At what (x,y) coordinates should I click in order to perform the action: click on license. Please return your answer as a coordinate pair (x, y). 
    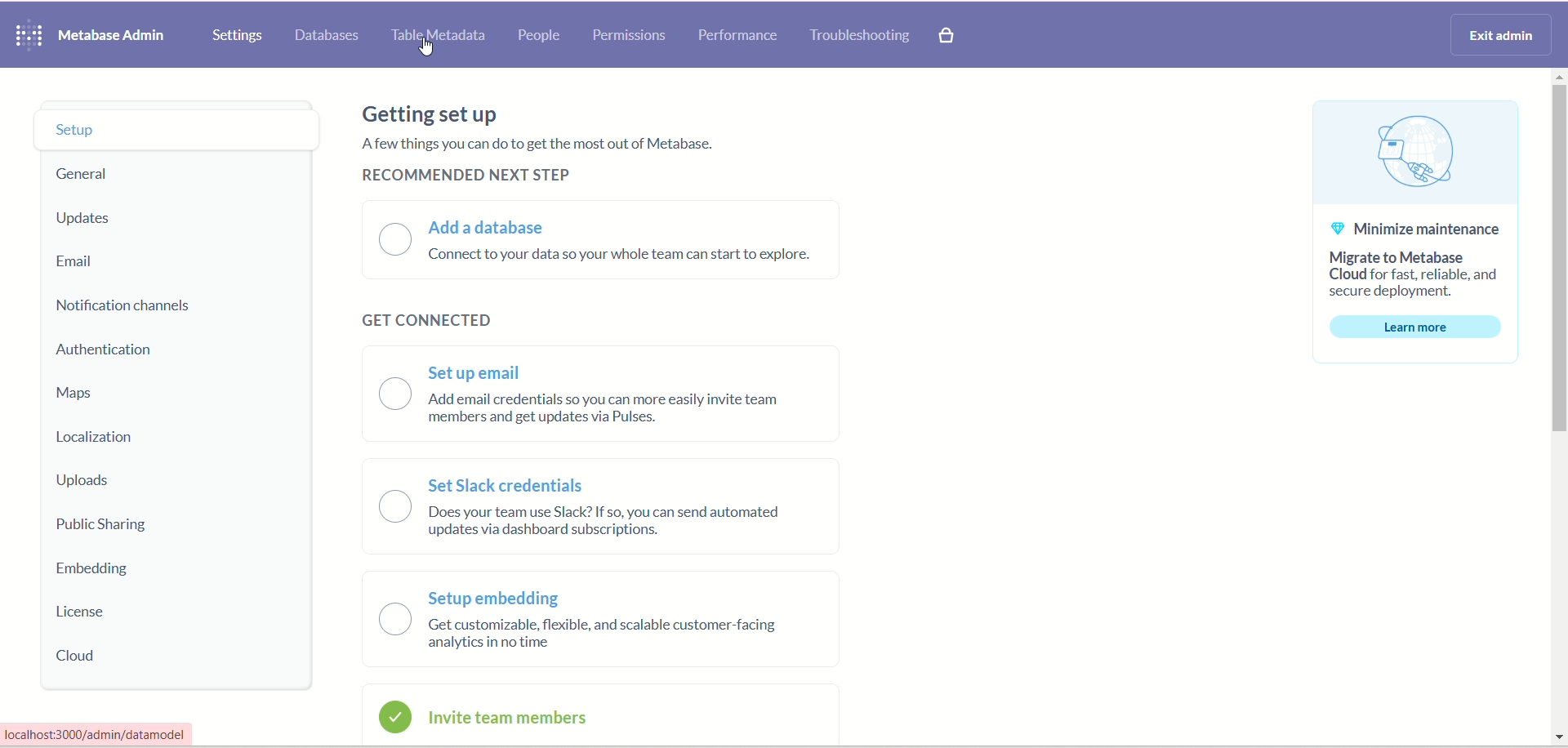
    Looking at the image, I should click on (87, 613).